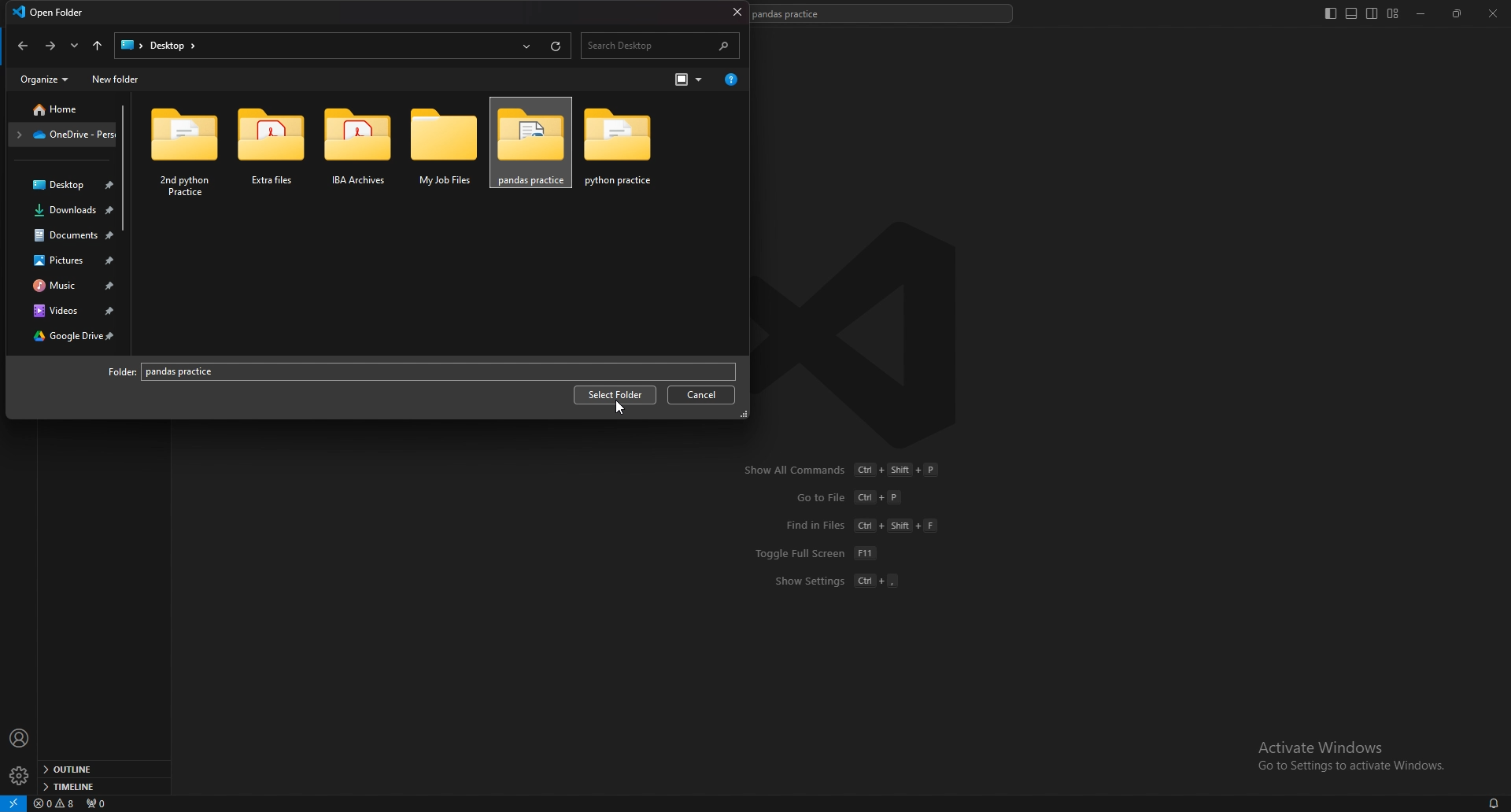 The image size is (1511, 812). What do you see at coordinates (95, 802) in the screenshot?
I see `ports forwarded` at bounding box center [95, 802].